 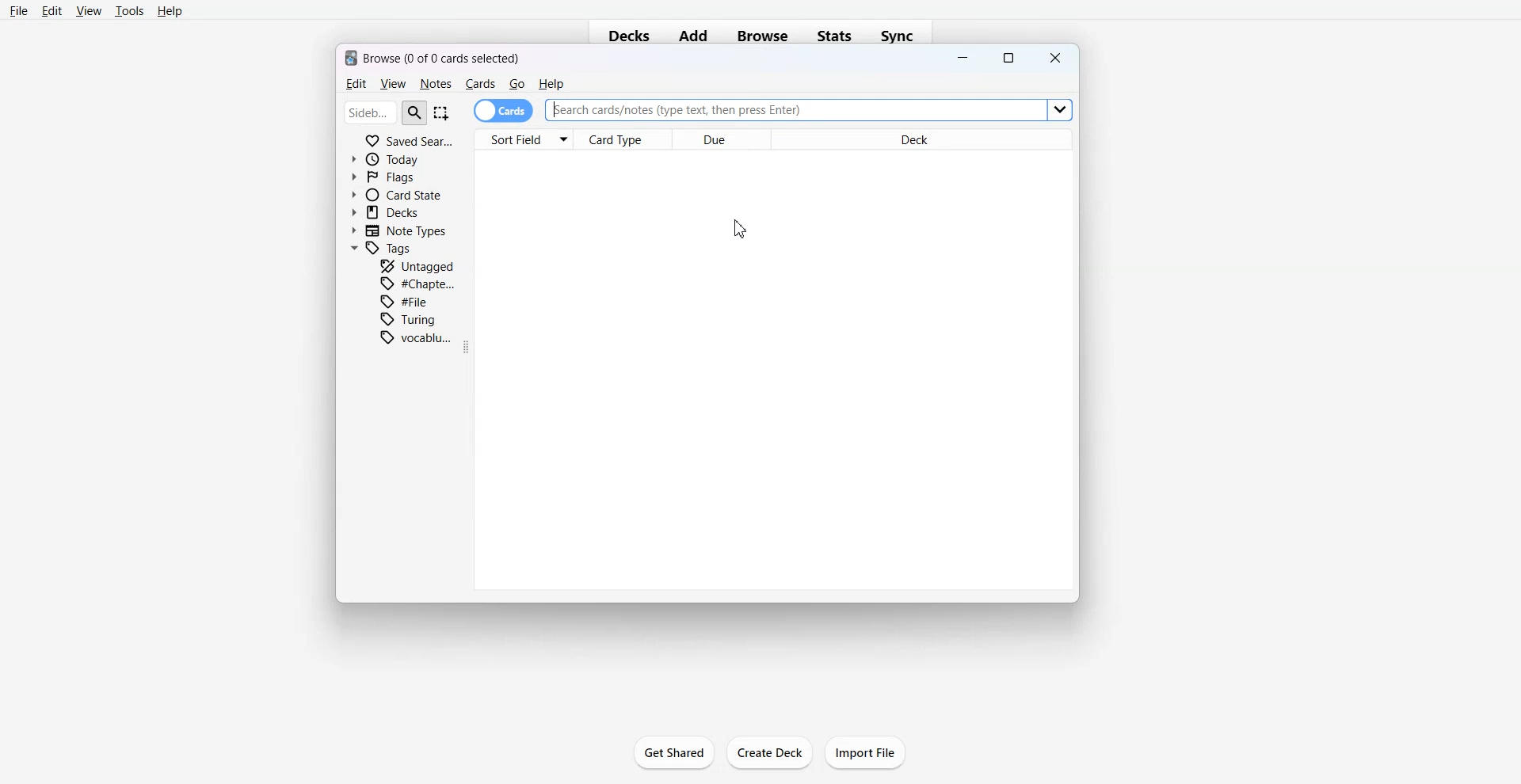 I want to click on Vocabulary, so click(x=416, y=337).